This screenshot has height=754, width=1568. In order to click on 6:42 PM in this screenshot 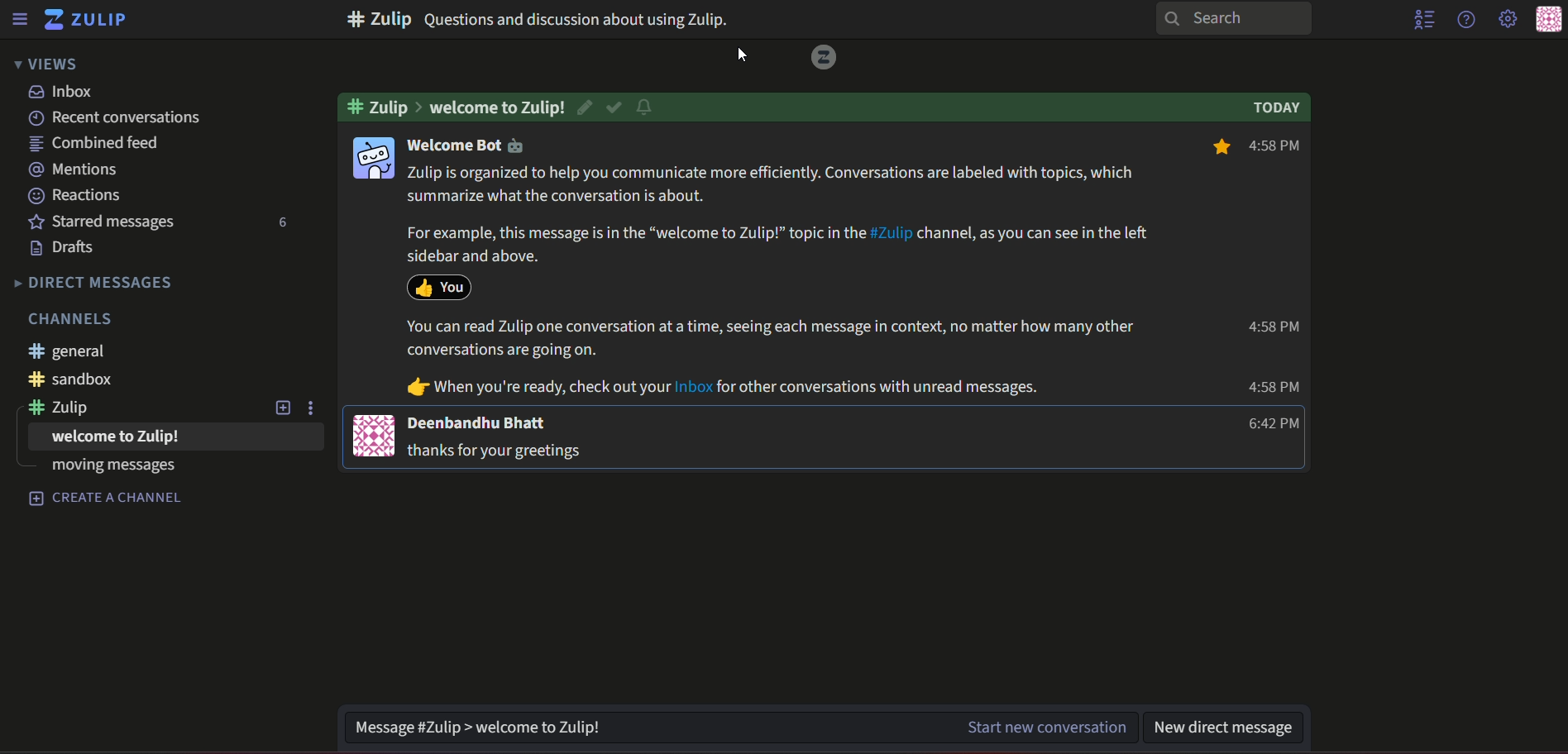, I will do `click(1264, 425)`.